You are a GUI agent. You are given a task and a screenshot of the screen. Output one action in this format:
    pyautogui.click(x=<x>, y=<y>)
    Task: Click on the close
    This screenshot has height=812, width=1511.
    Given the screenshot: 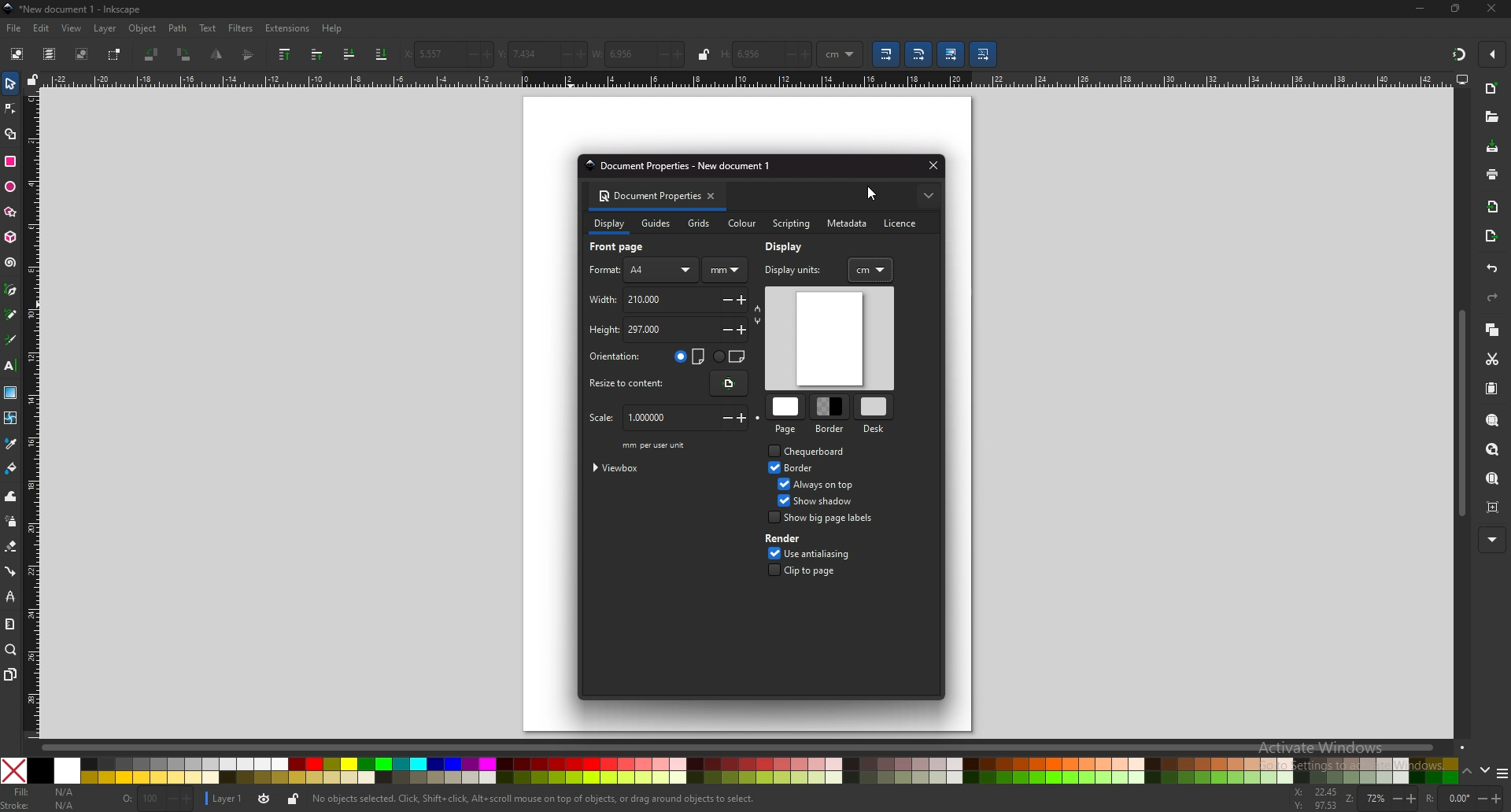 What is the action you would take?
    pyautogui.click(x=1491, y=9)
    